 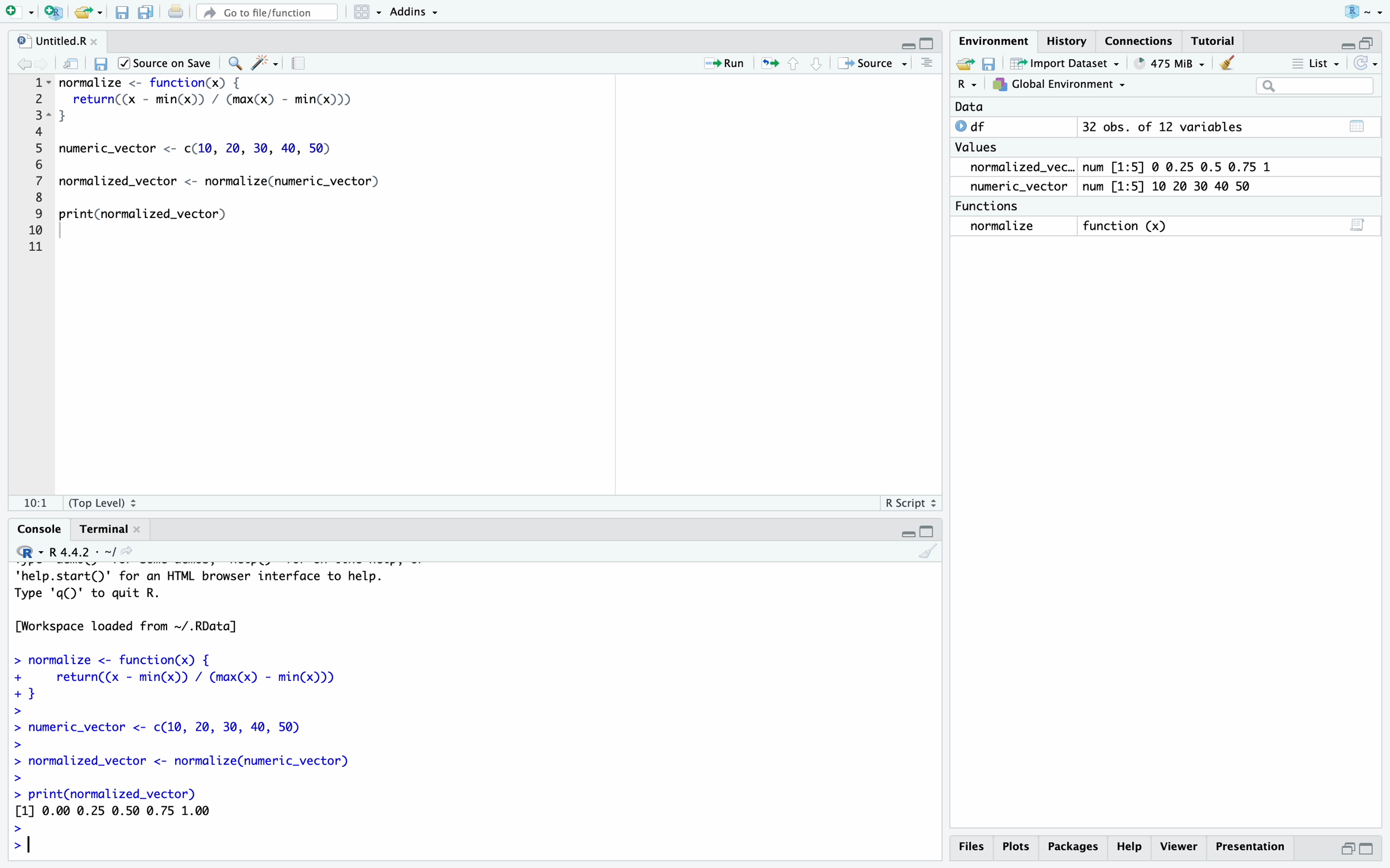 What do you see at coordinates (24, 554) in the screenshot?
I see `R` at bounding box center [24, 554].